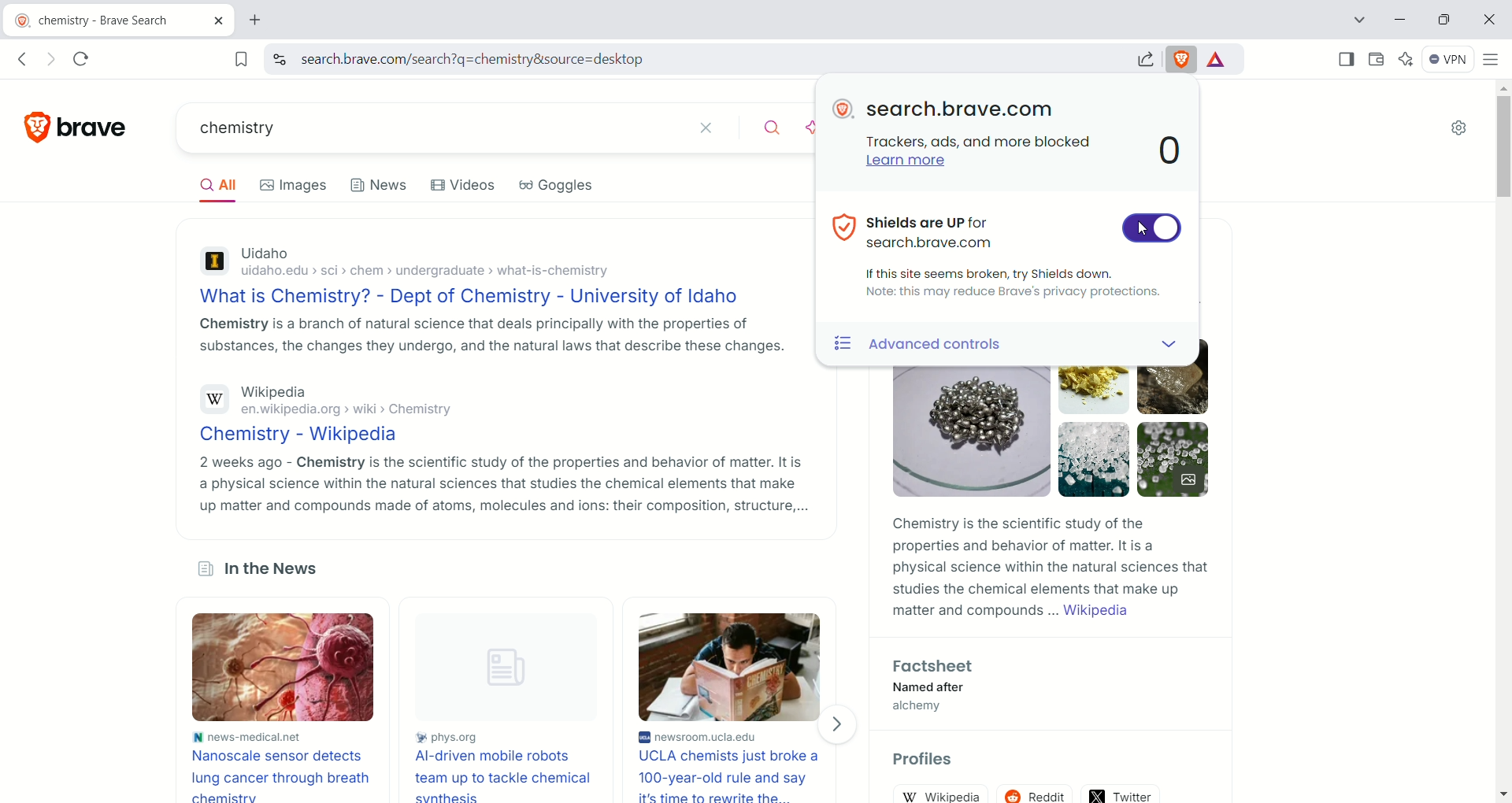  Describe the element at coordinates (920, 708) in the screenshot. I see `alchemy` at that location.